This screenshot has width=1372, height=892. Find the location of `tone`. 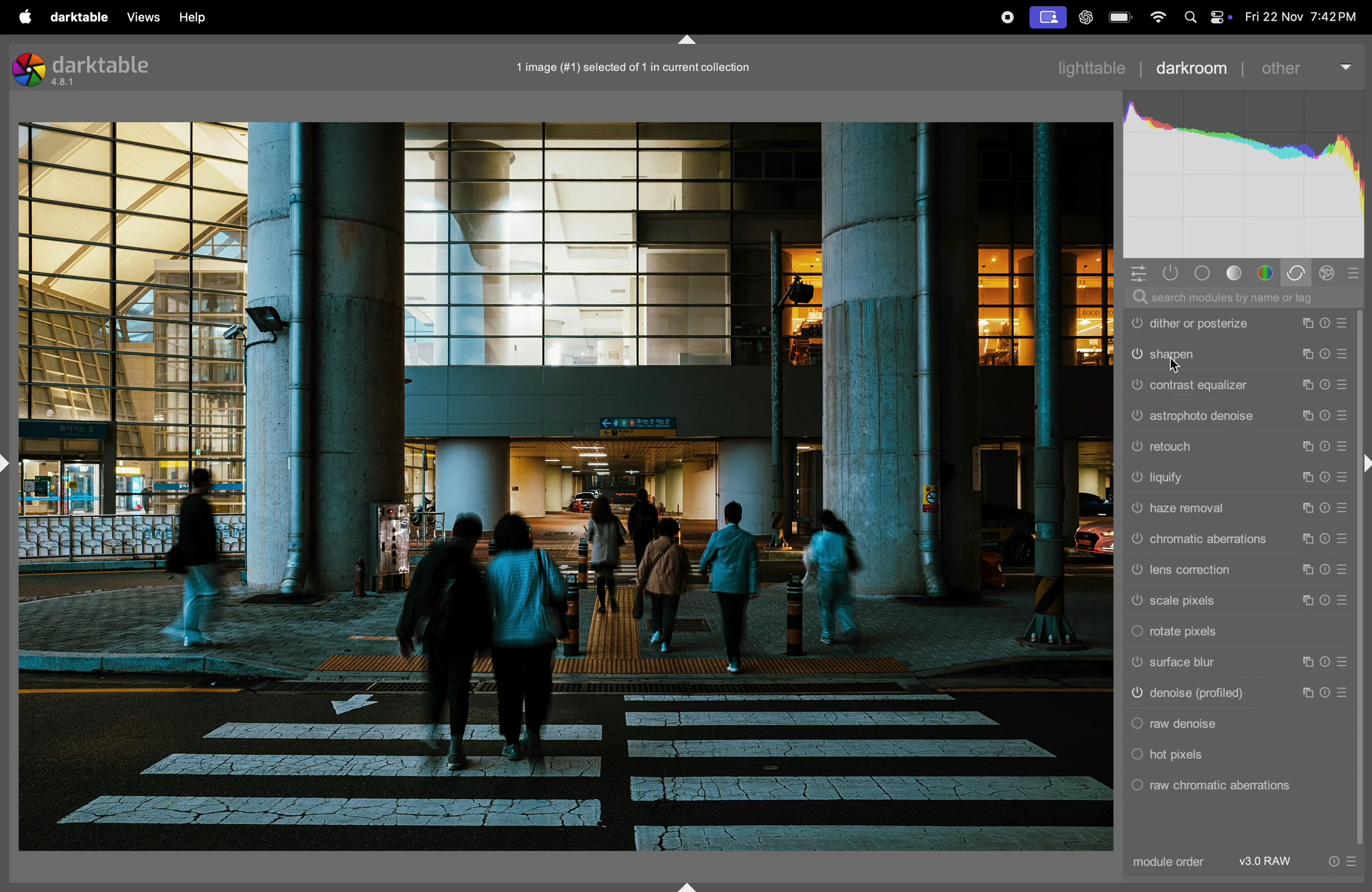

tone is located at coordinates (1237, 273).